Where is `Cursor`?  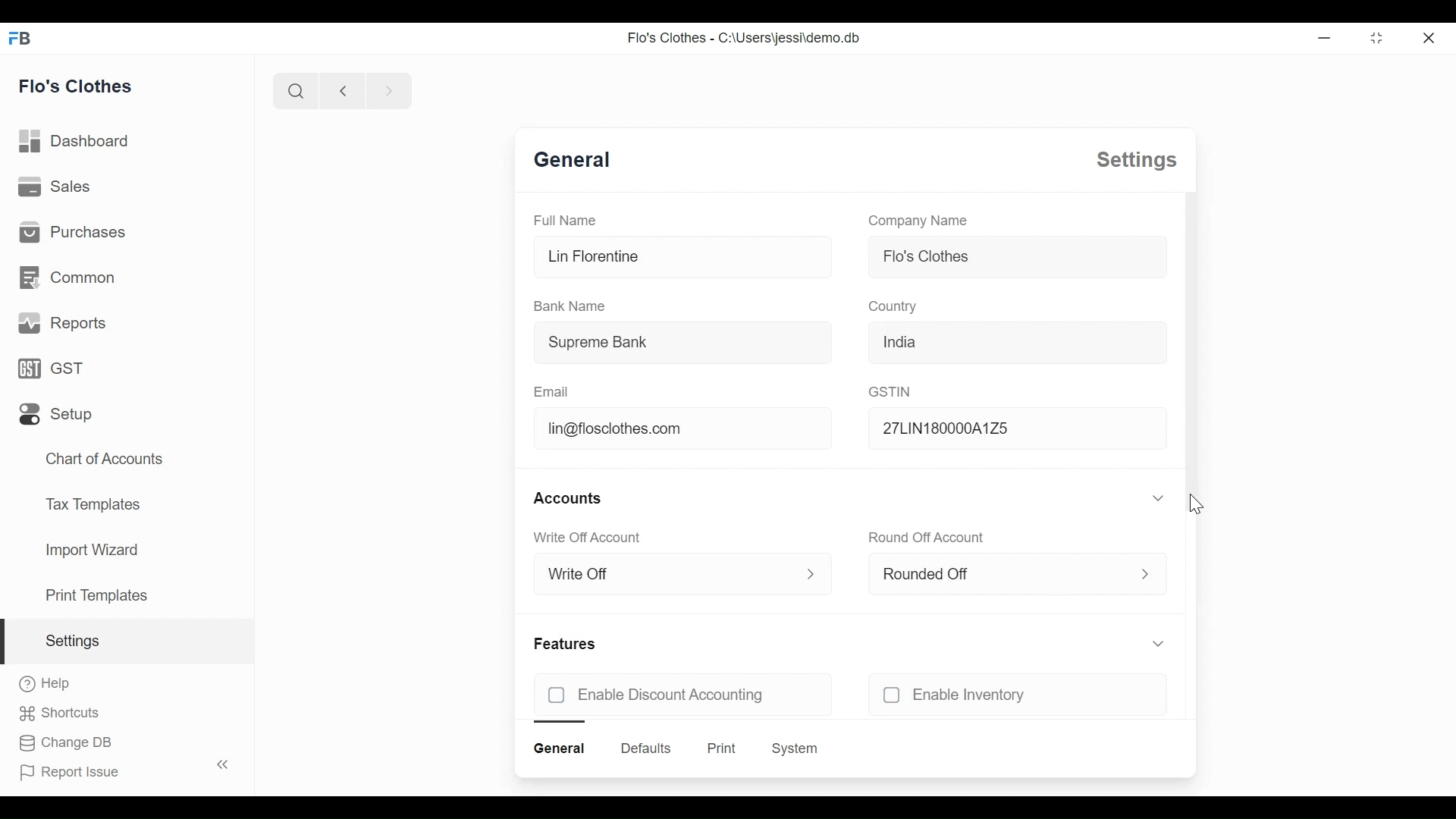
Cursor is located at coordinates (1194, 506).